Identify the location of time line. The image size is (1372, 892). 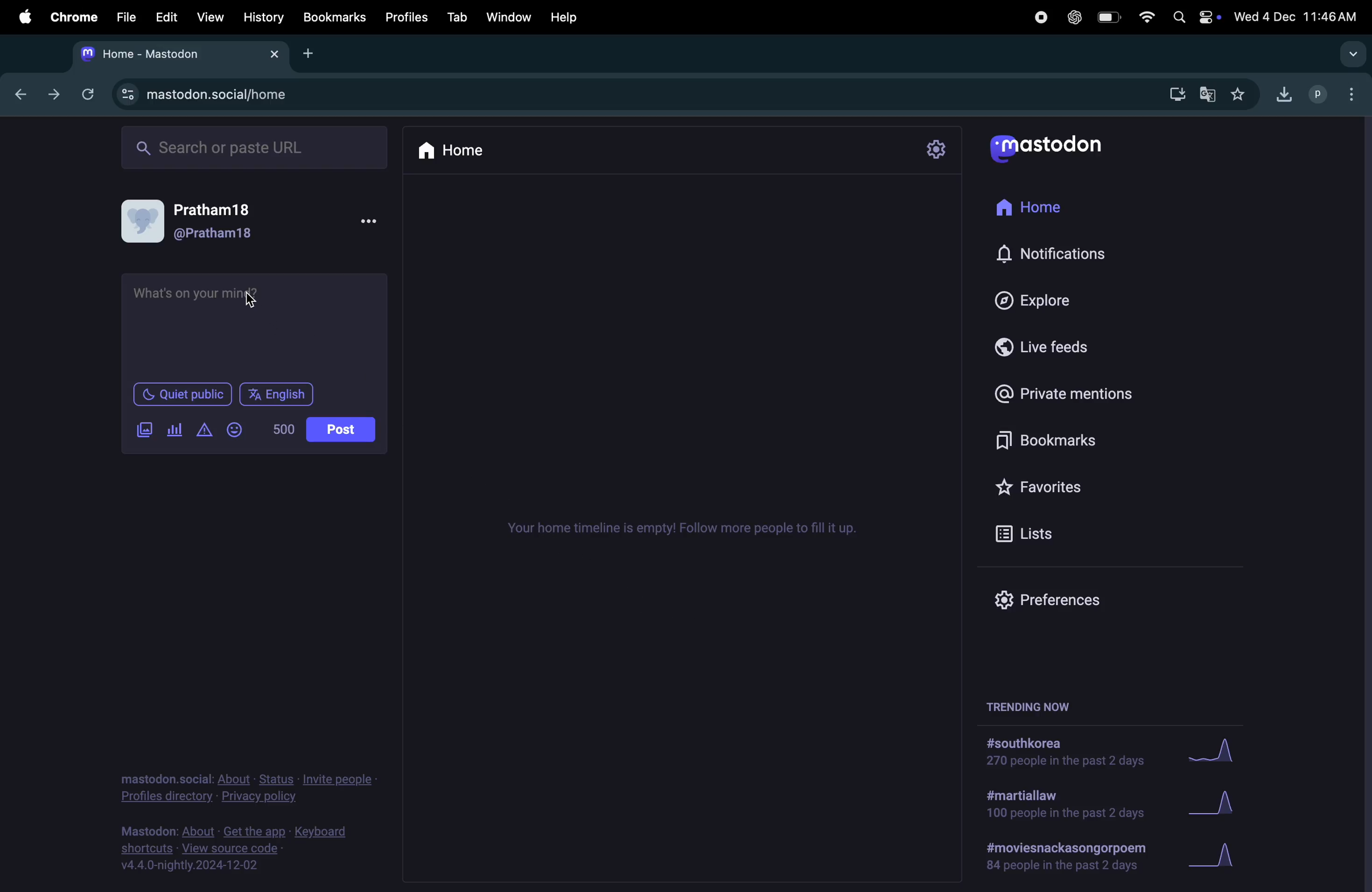
(690, 531).